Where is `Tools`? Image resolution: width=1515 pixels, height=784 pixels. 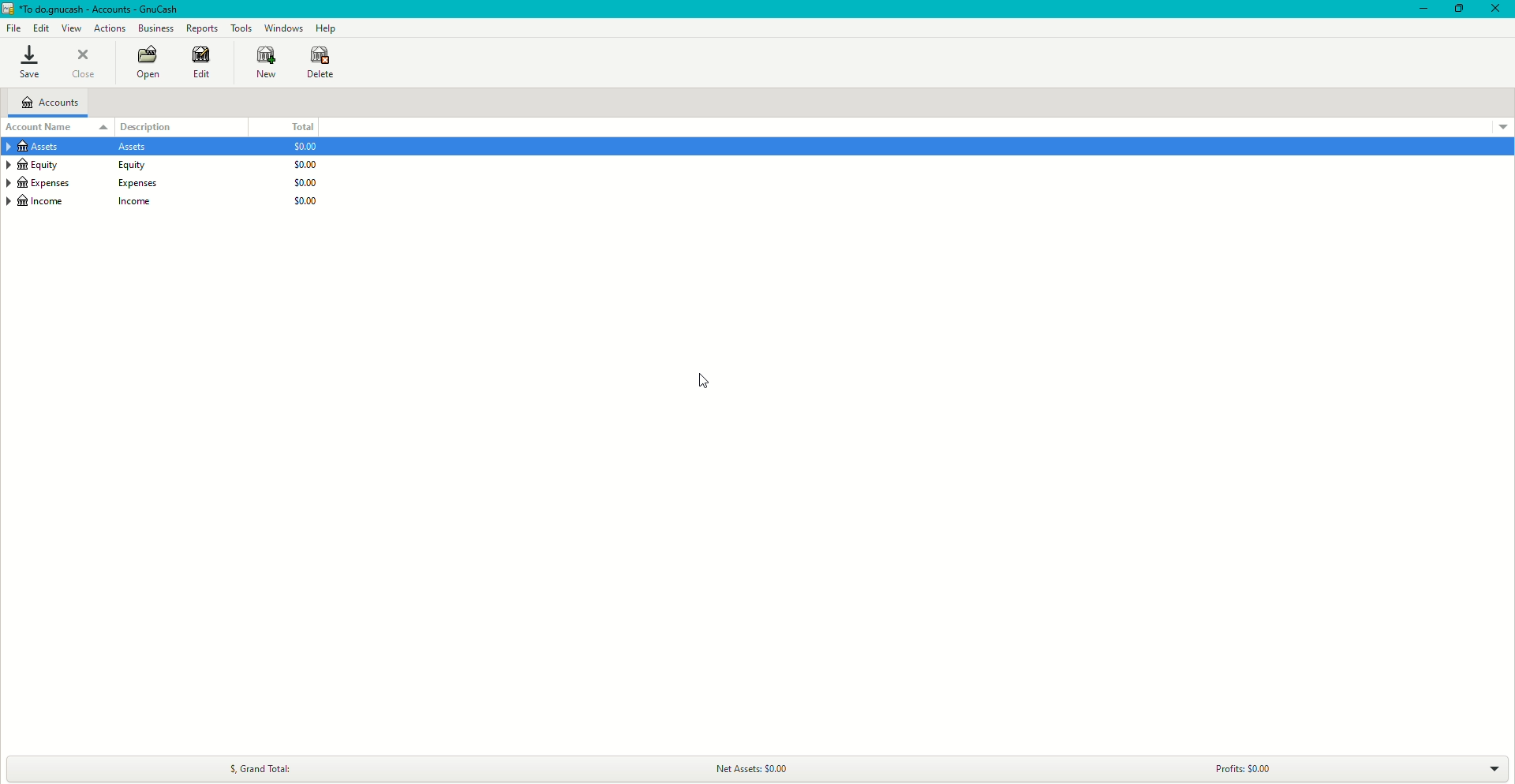
Tools is located at coordinates (241, 28).